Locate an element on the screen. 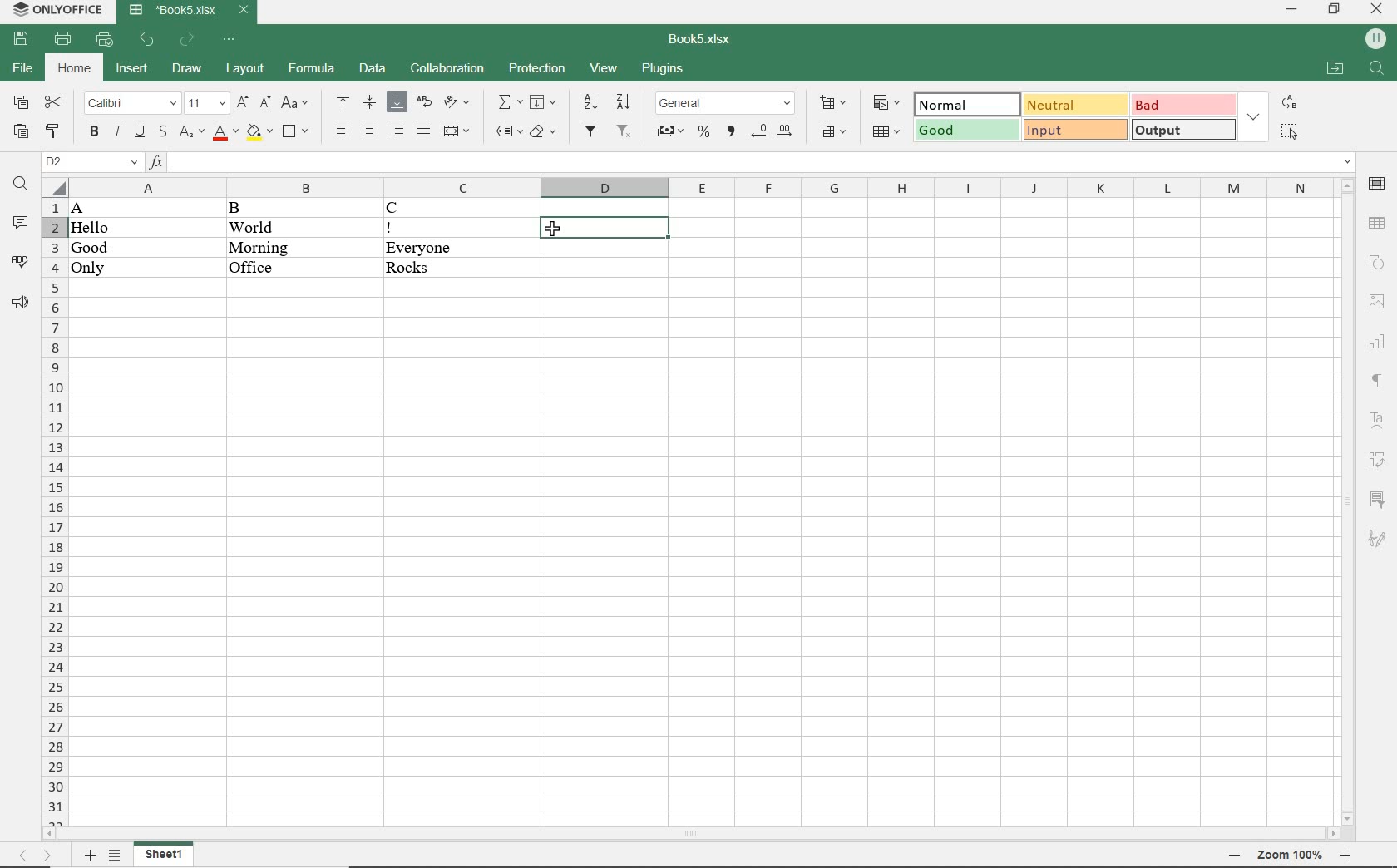 The width and height of the screenshot is (1397, 868). normal is located at coordinates (966, 103).